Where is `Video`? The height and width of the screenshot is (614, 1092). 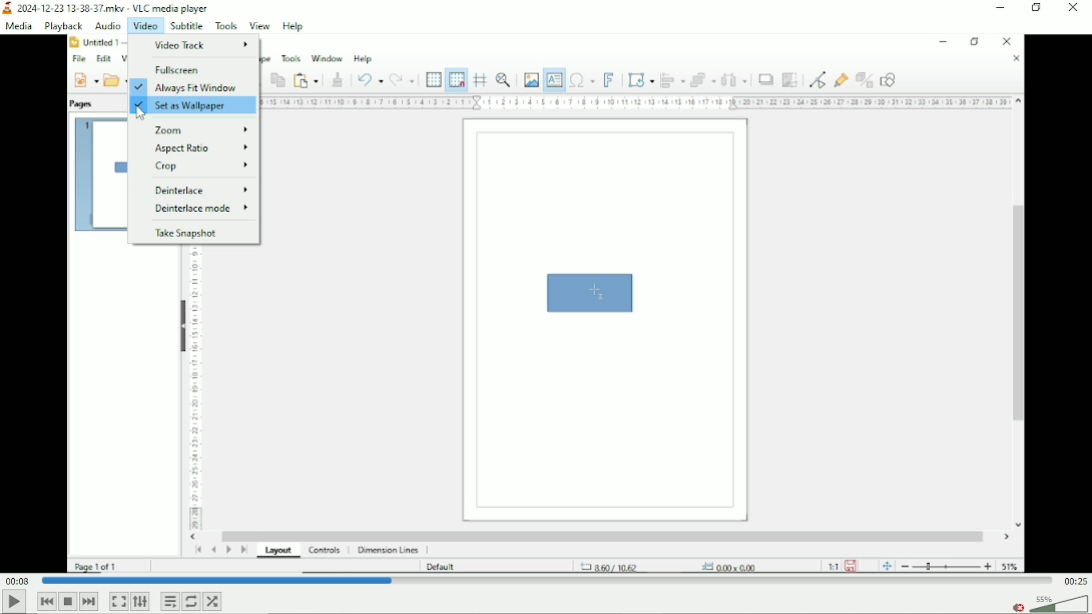 Video is located at coordinates (144, 26).